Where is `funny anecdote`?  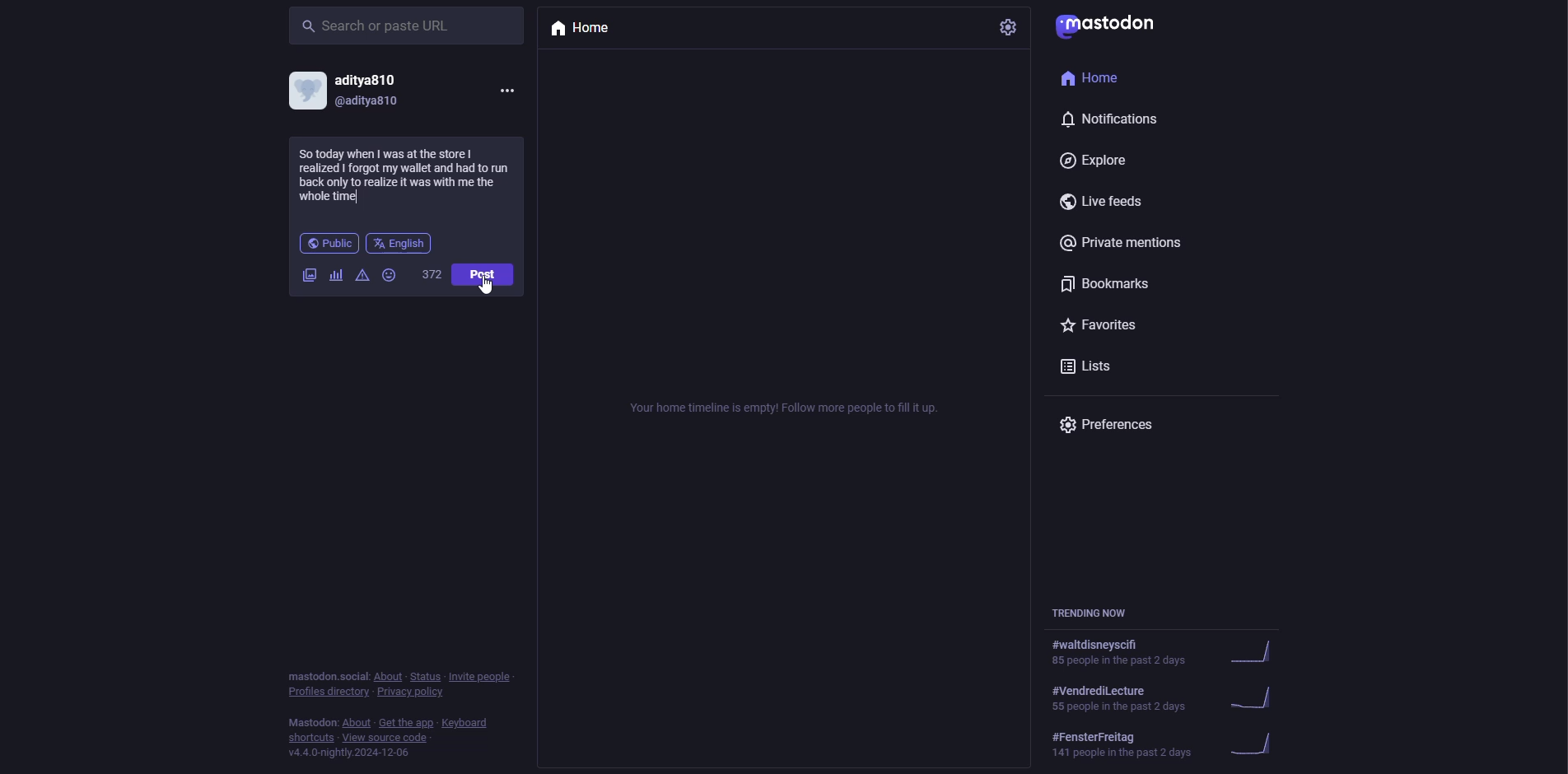 funny anecdote is located at coordinates (404, 175).